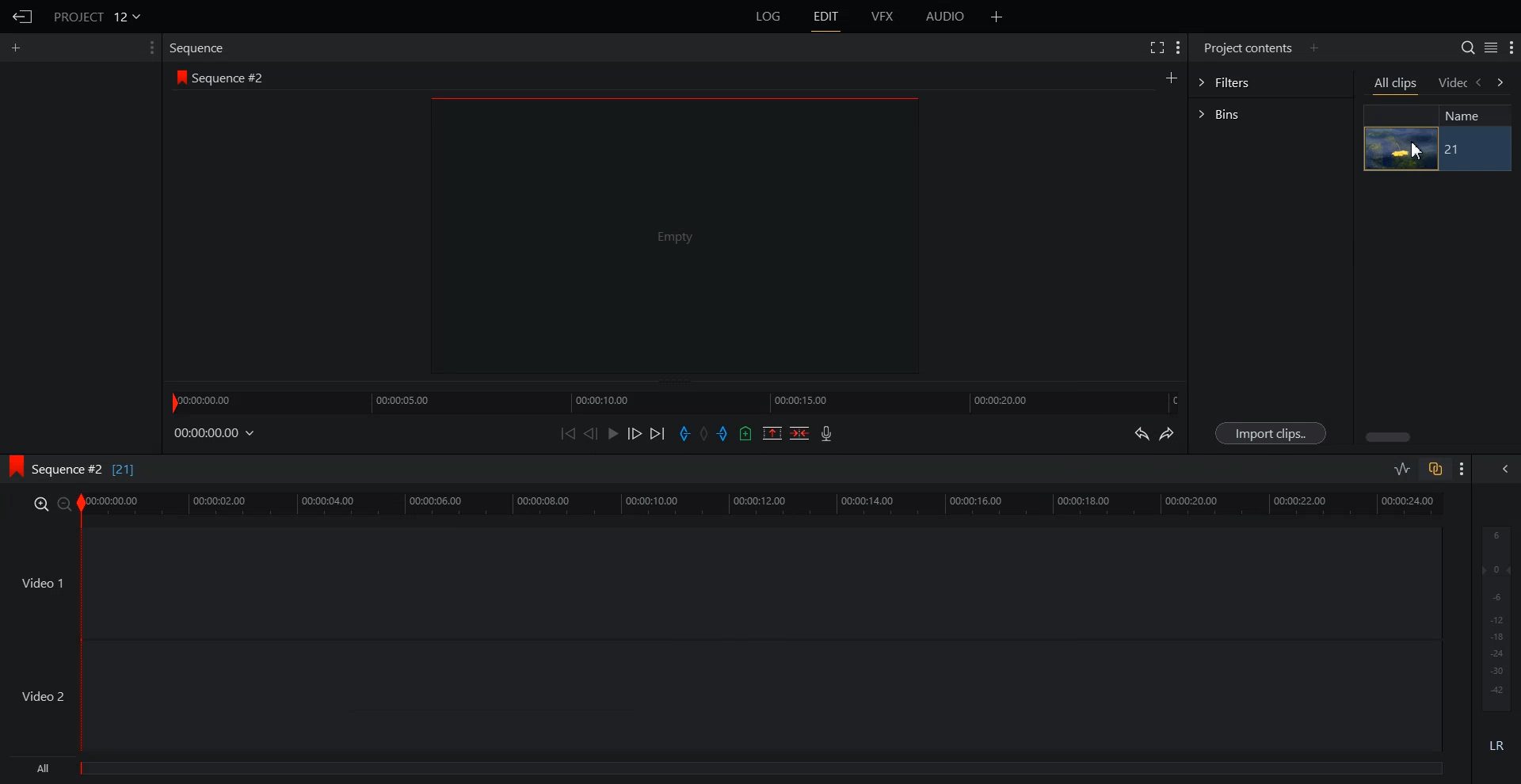  Describe the element at coordinates (635, 434) in the screenshot. I see `Nudge One Frame Forward` at that location.